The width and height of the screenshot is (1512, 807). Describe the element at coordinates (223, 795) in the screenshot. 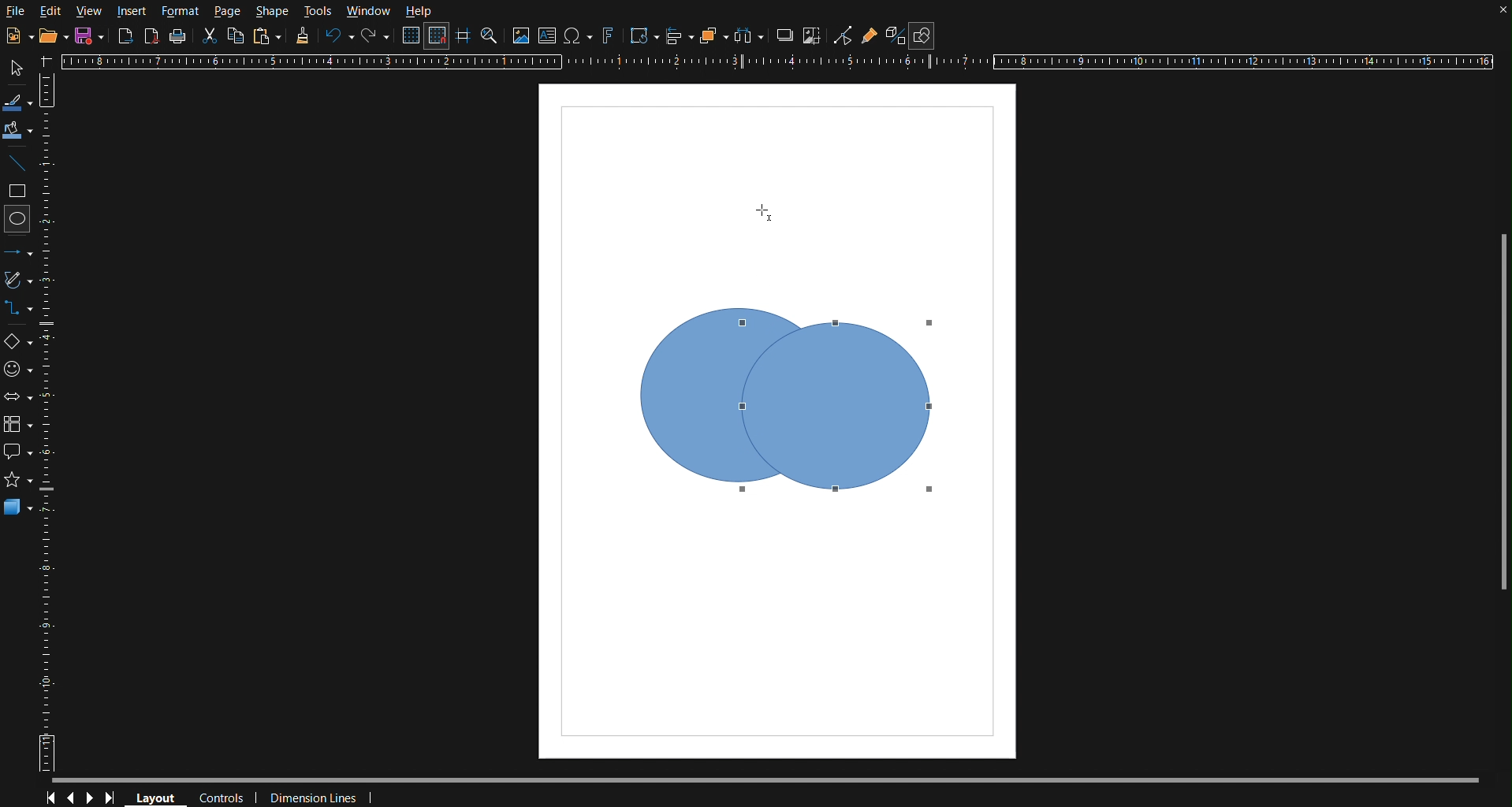

I see `Controls` at that location.